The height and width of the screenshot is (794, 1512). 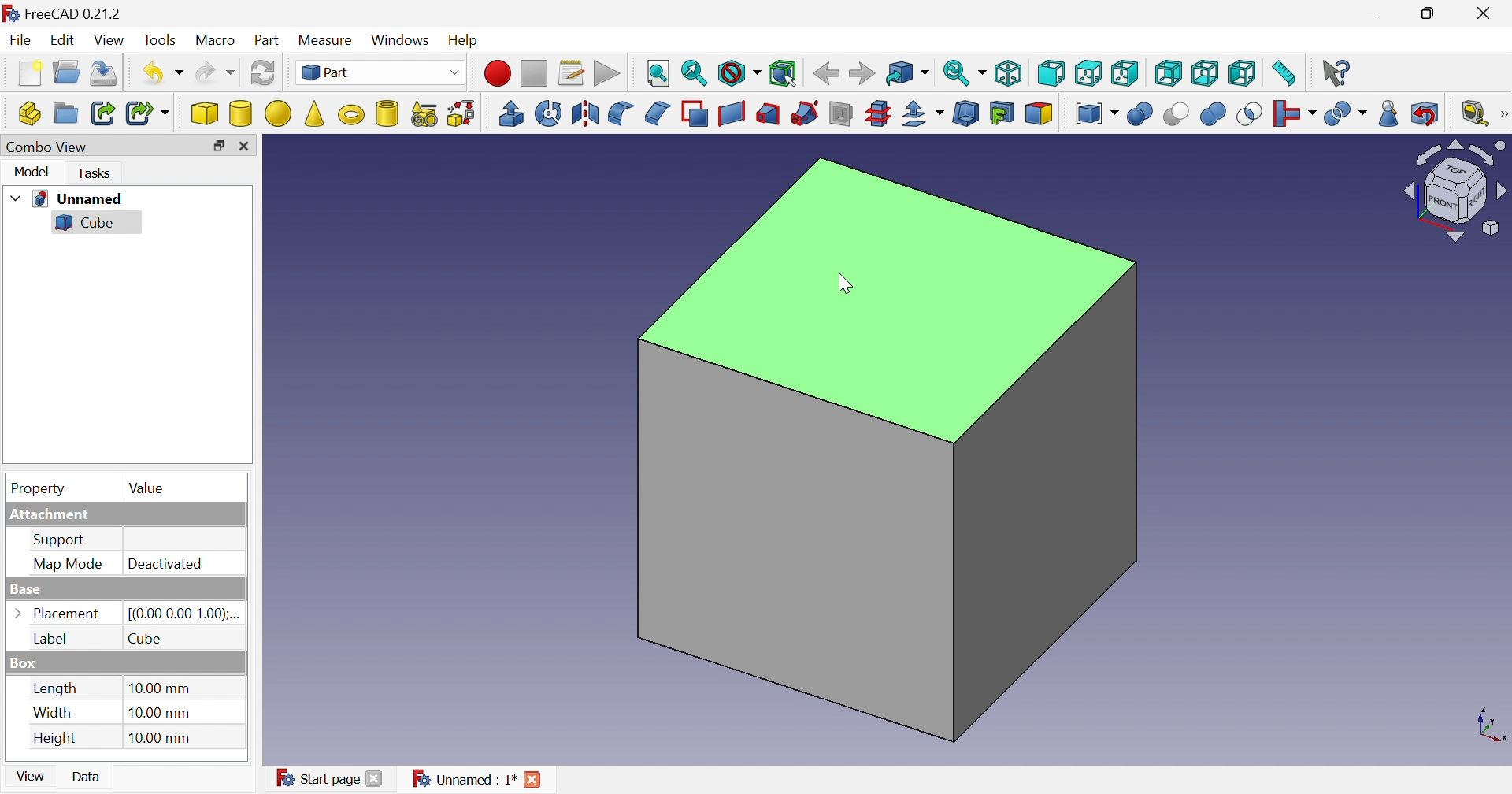 What do you see at coordinates (86, 776) in the screenshot?
I see `Data` at bounding box center [86, 776].